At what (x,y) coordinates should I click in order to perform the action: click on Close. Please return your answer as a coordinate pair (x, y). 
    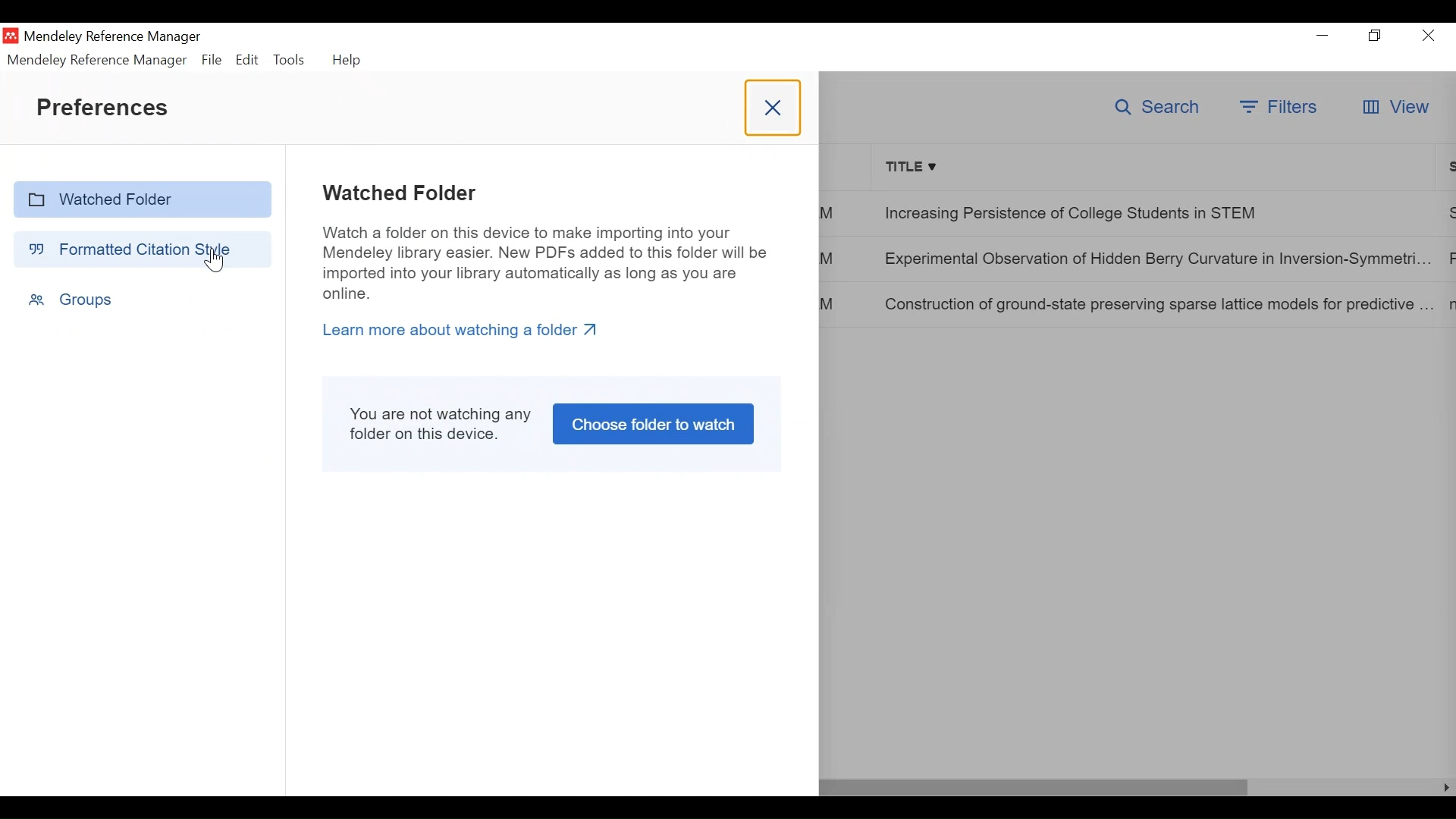
    Looking at the image, I should click on (771, 108).